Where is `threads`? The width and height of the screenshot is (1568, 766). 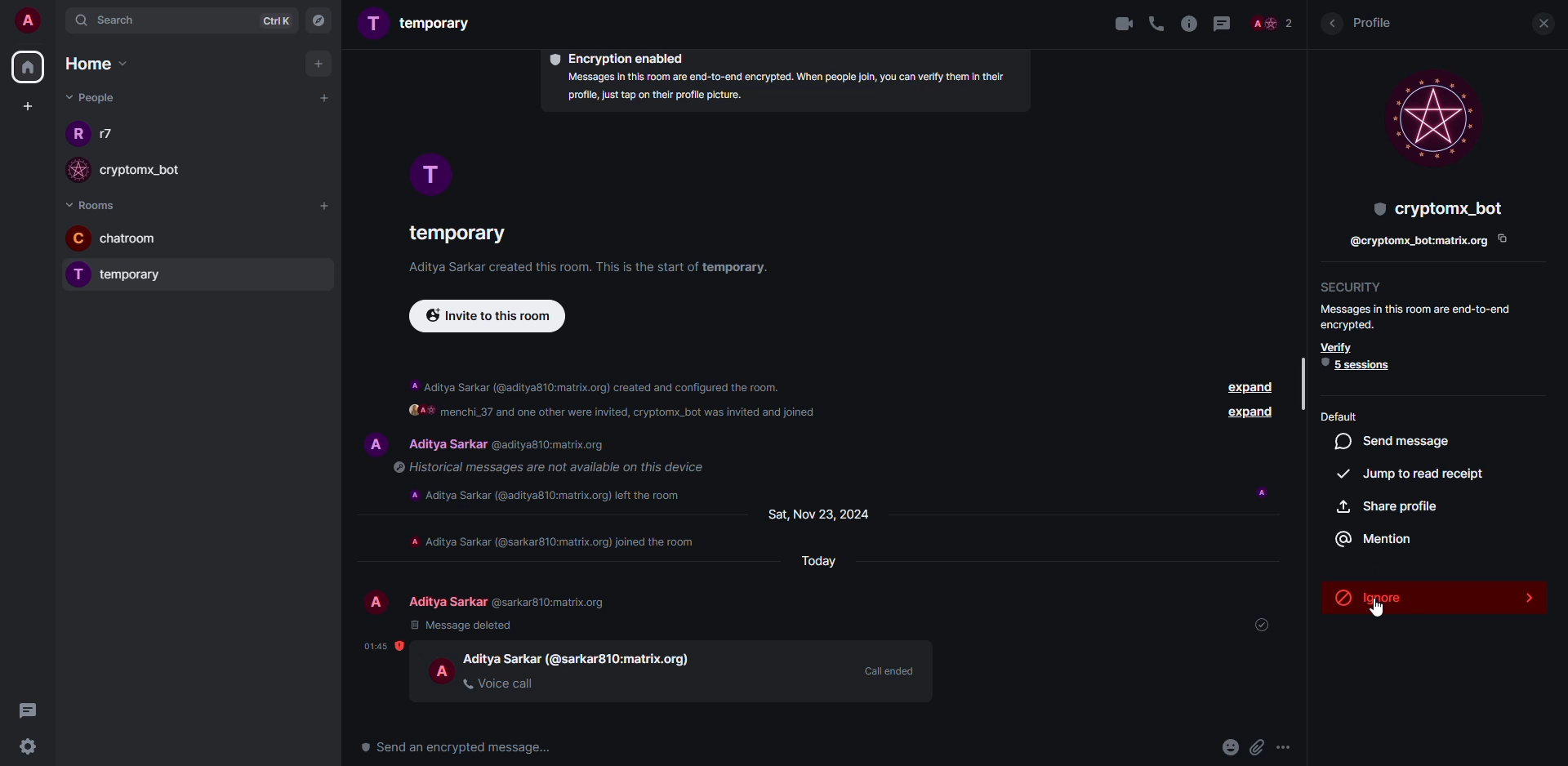 threads is located at coordinates (1222, 24).